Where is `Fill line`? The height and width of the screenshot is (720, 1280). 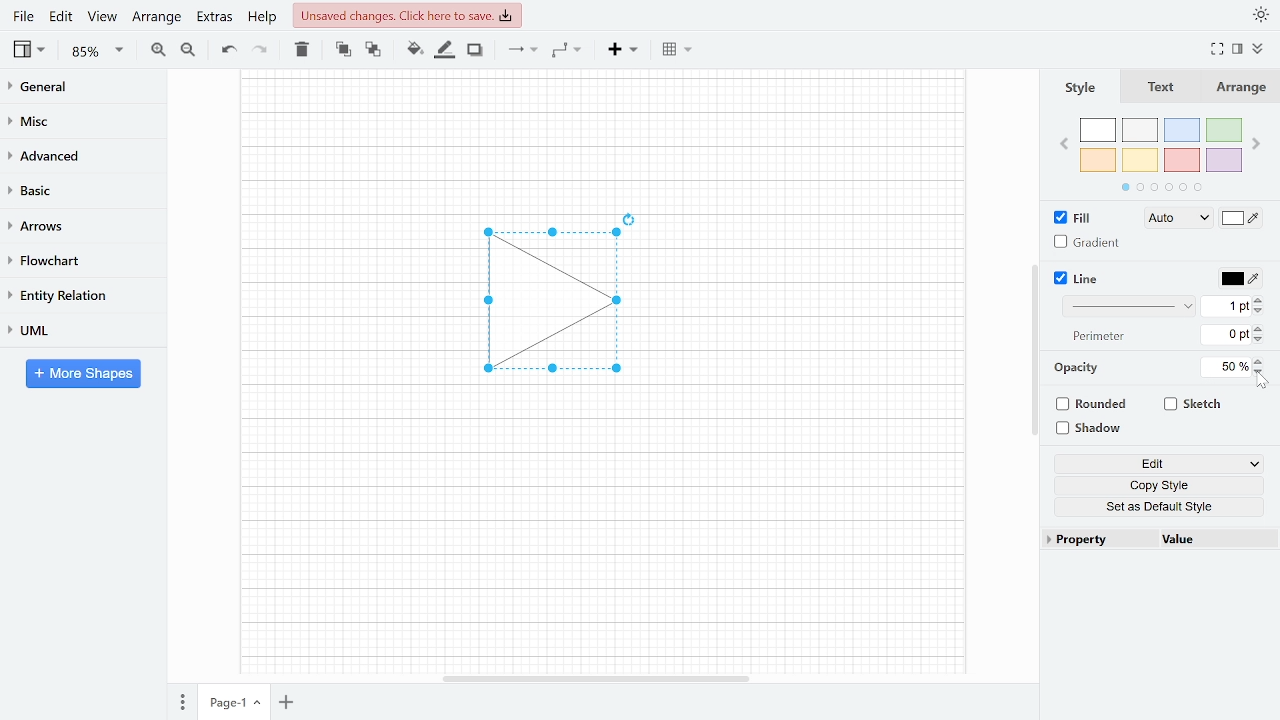 Fill line is located at coordinates (444, 50).